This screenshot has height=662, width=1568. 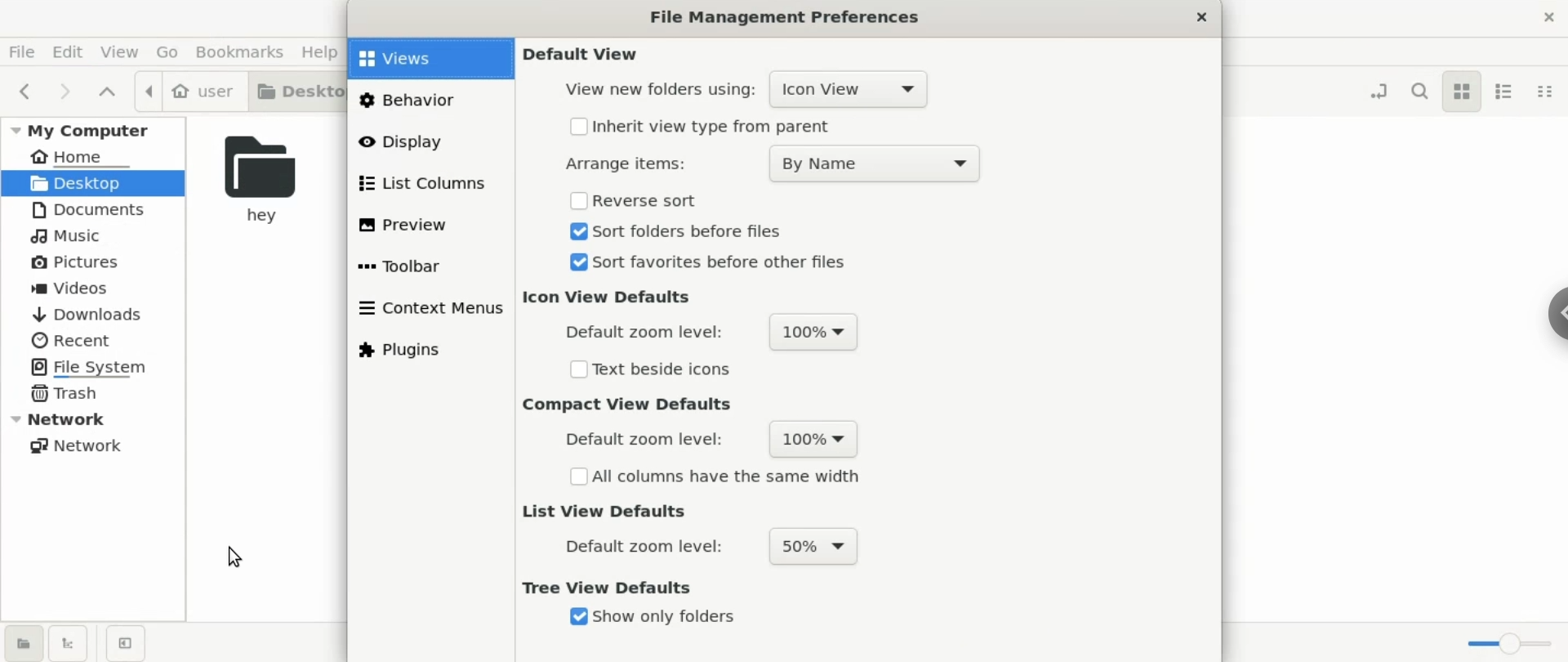 I want to click on text beside checkbox, so click(x=663, y=370).